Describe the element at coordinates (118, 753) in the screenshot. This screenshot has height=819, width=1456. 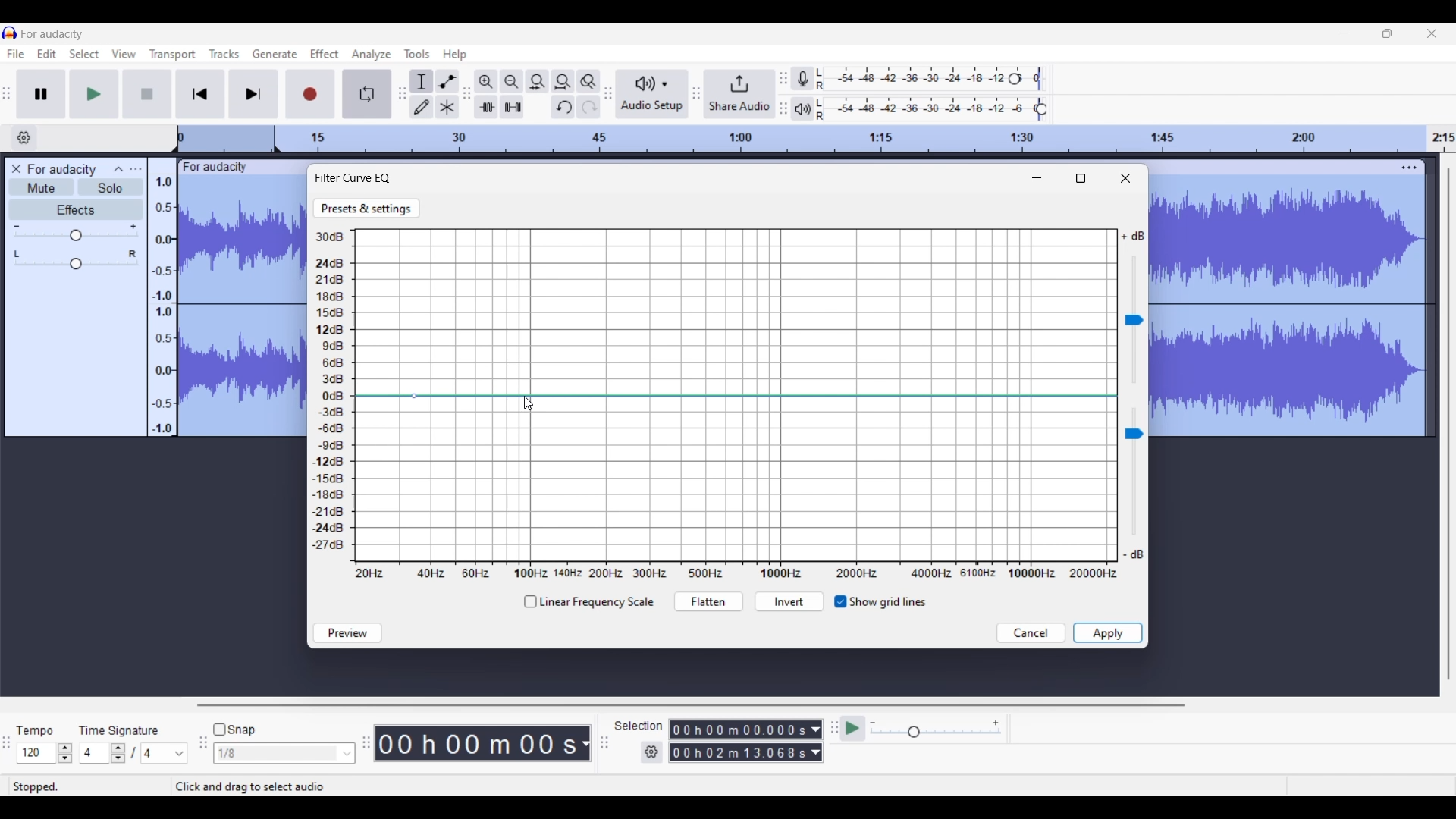
I see `Increase/Decrease time signature` at that location.